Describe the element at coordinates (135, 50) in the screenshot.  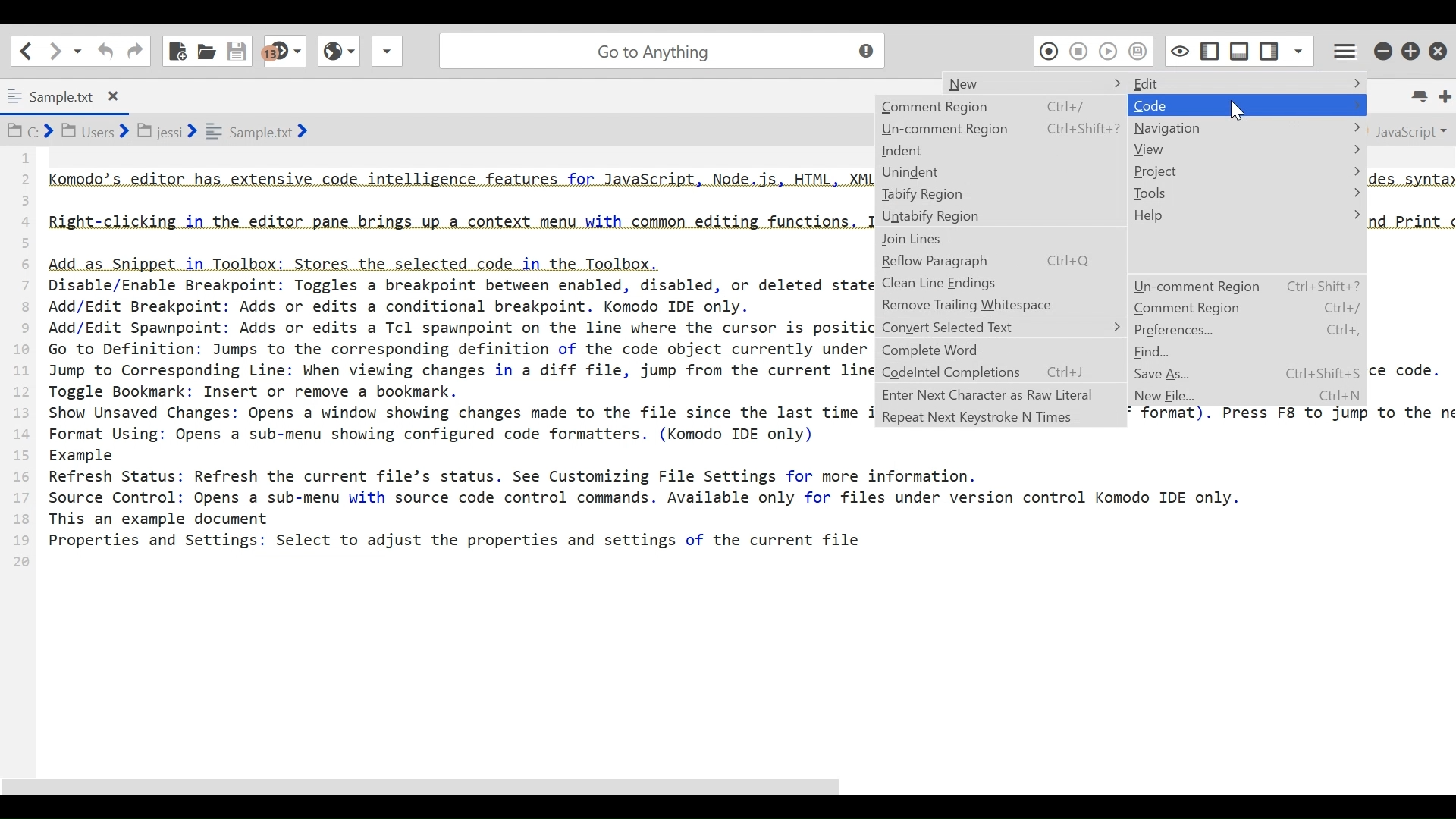
I see `Redo` at that location.